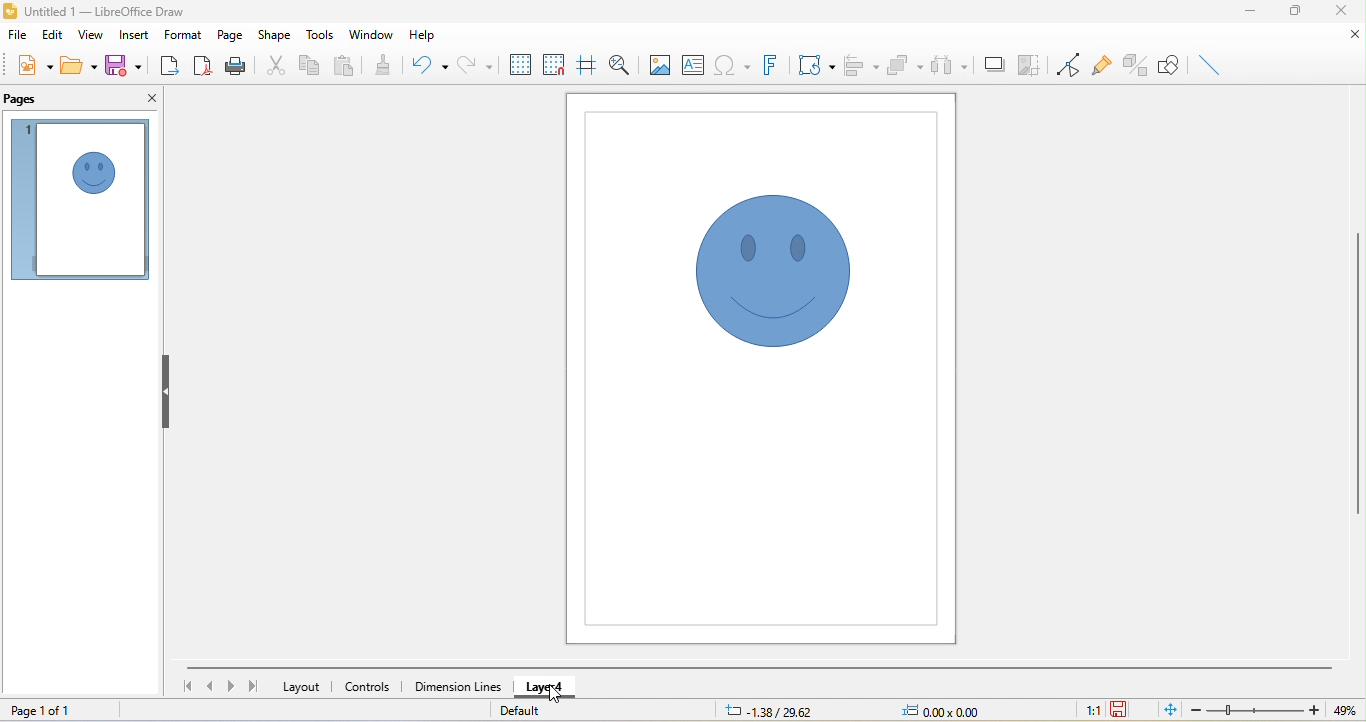 This screenshot has height=722, width=1366. I want to click on previous page, so click(209, 686).